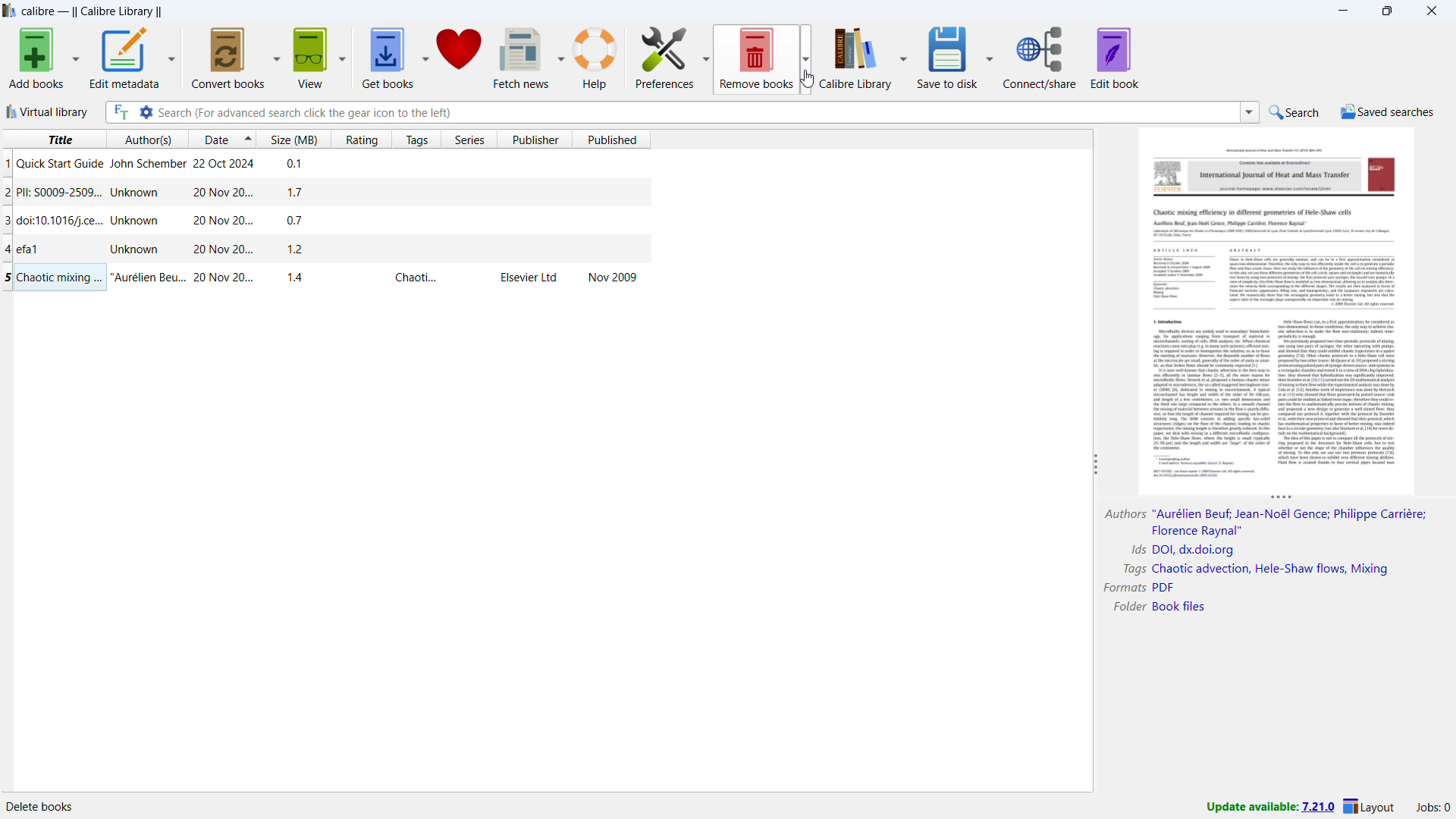  What do you see at coordinates (146, 139) in the screenshot?
I see `sort by author` at bounding box center [146, 139].